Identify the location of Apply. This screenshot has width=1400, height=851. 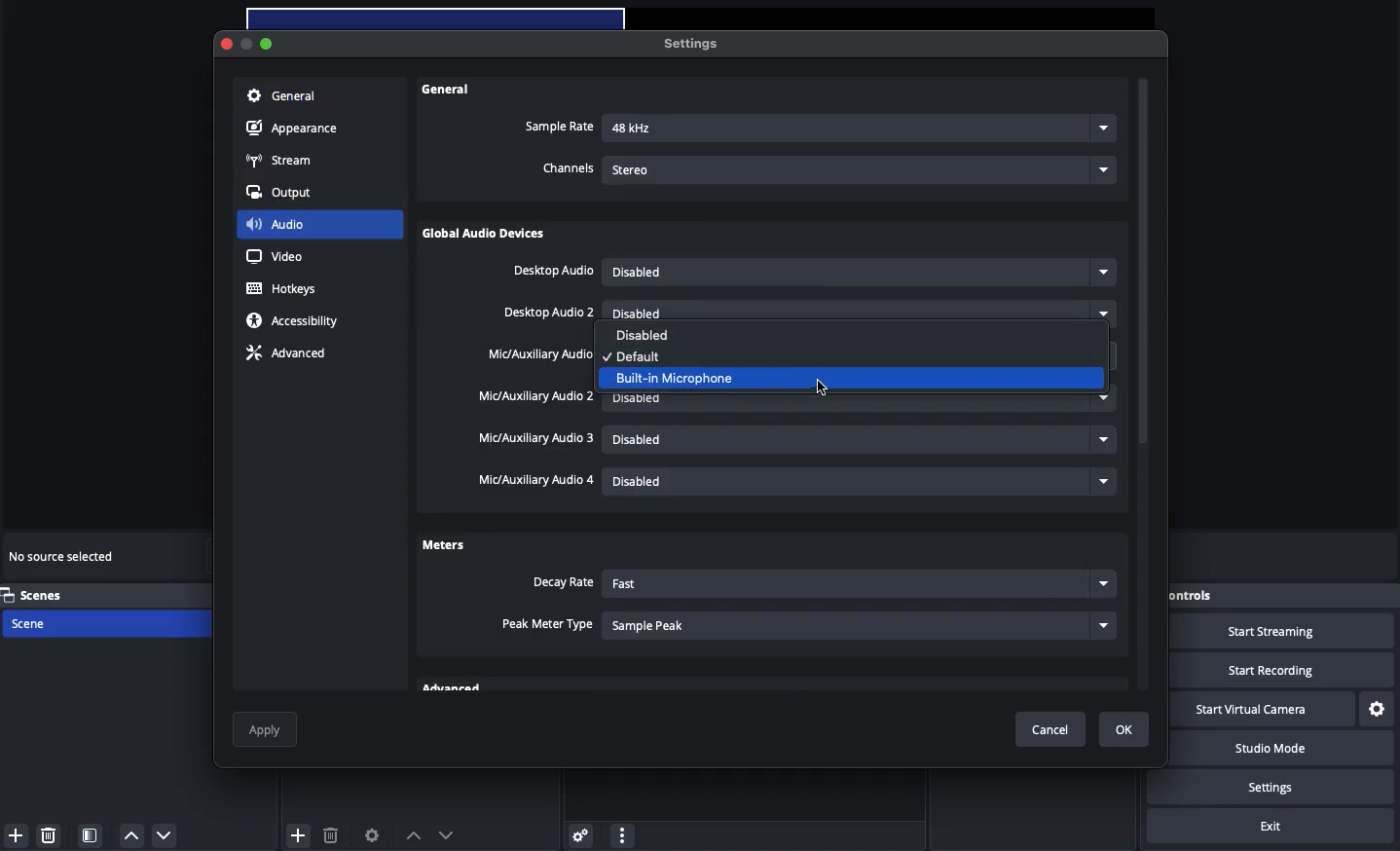
(267, 729).